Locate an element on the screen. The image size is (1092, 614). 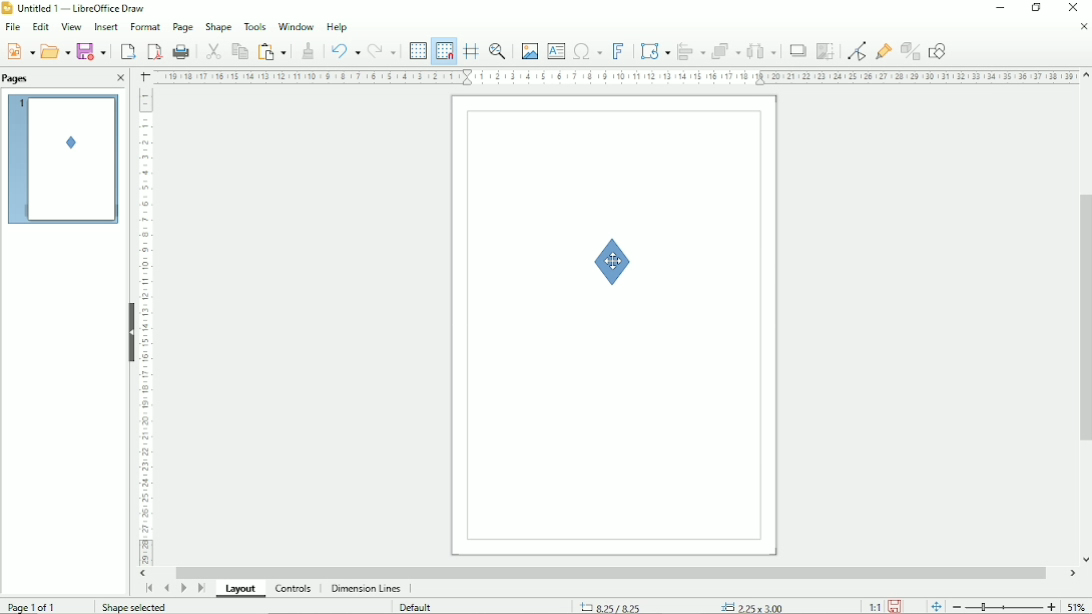
Clone formatting is located at coordinates (309, 49).